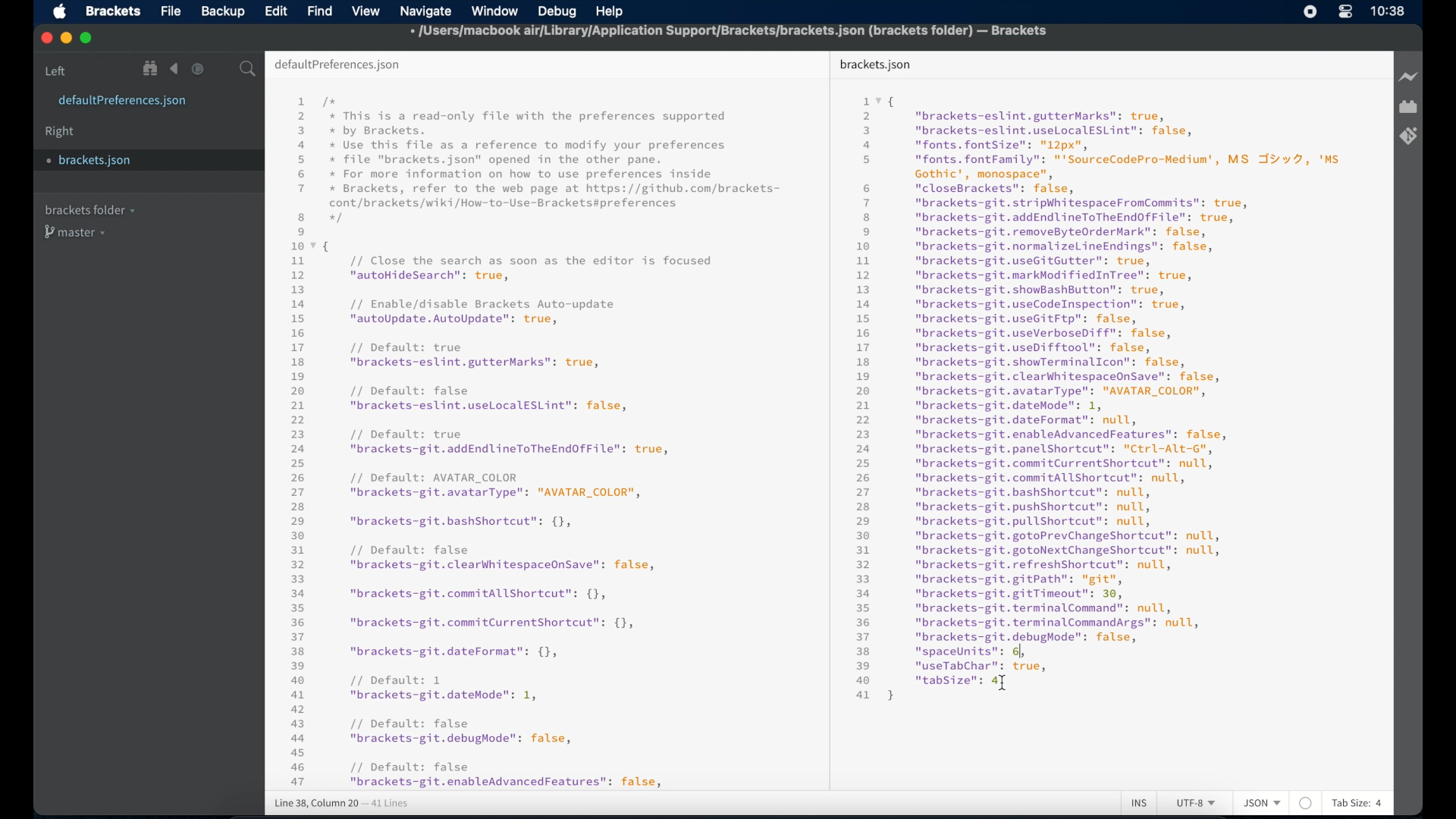 This screenshot has height=819, width=1456. I want to click on maximize, so click(87, 39).